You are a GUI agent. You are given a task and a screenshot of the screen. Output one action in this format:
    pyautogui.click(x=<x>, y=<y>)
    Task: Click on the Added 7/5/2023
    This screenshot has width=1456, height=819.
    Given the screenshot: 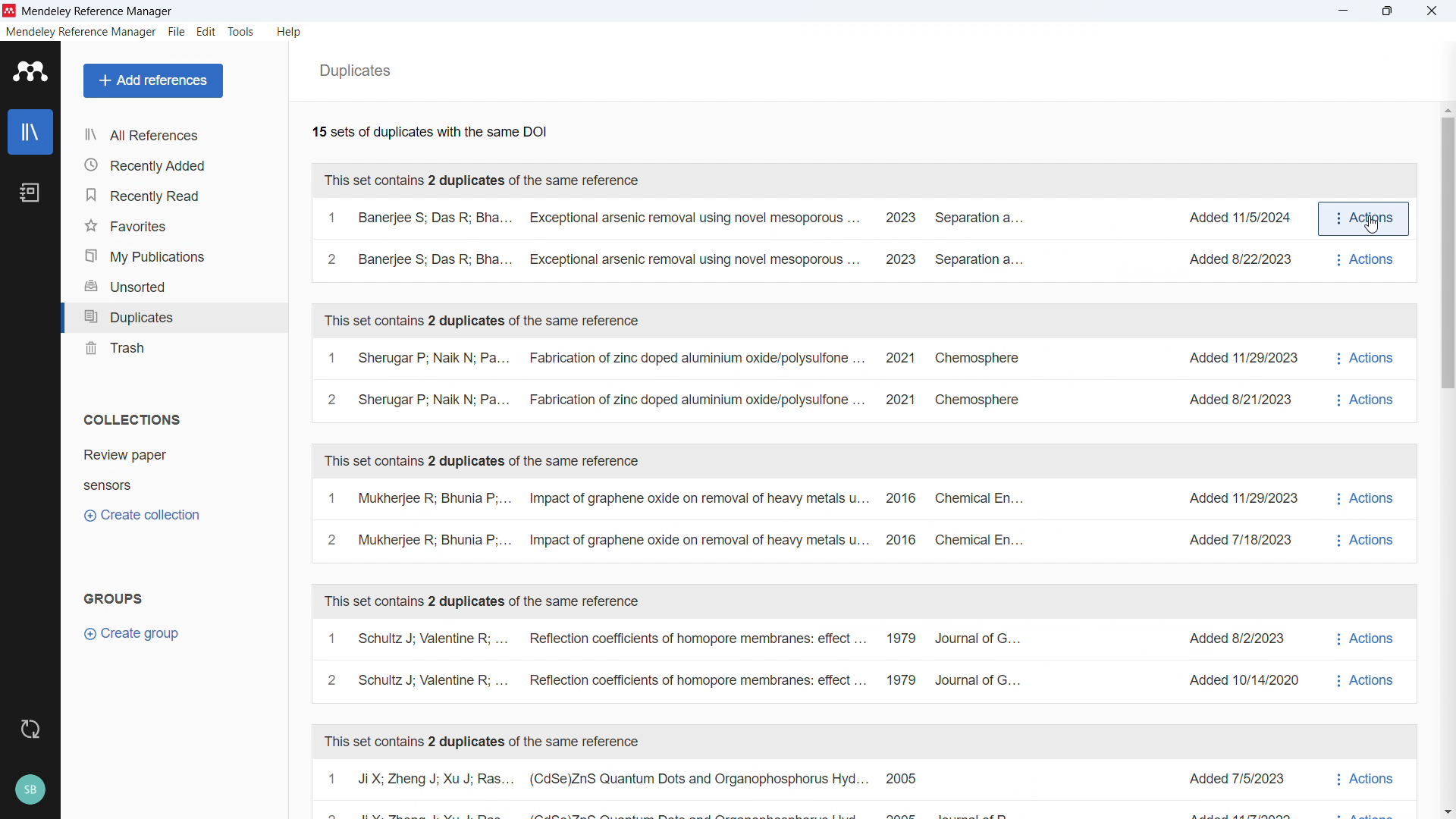 What is the action you would take?
    pyautogui.click(x=1227, y=775)
    